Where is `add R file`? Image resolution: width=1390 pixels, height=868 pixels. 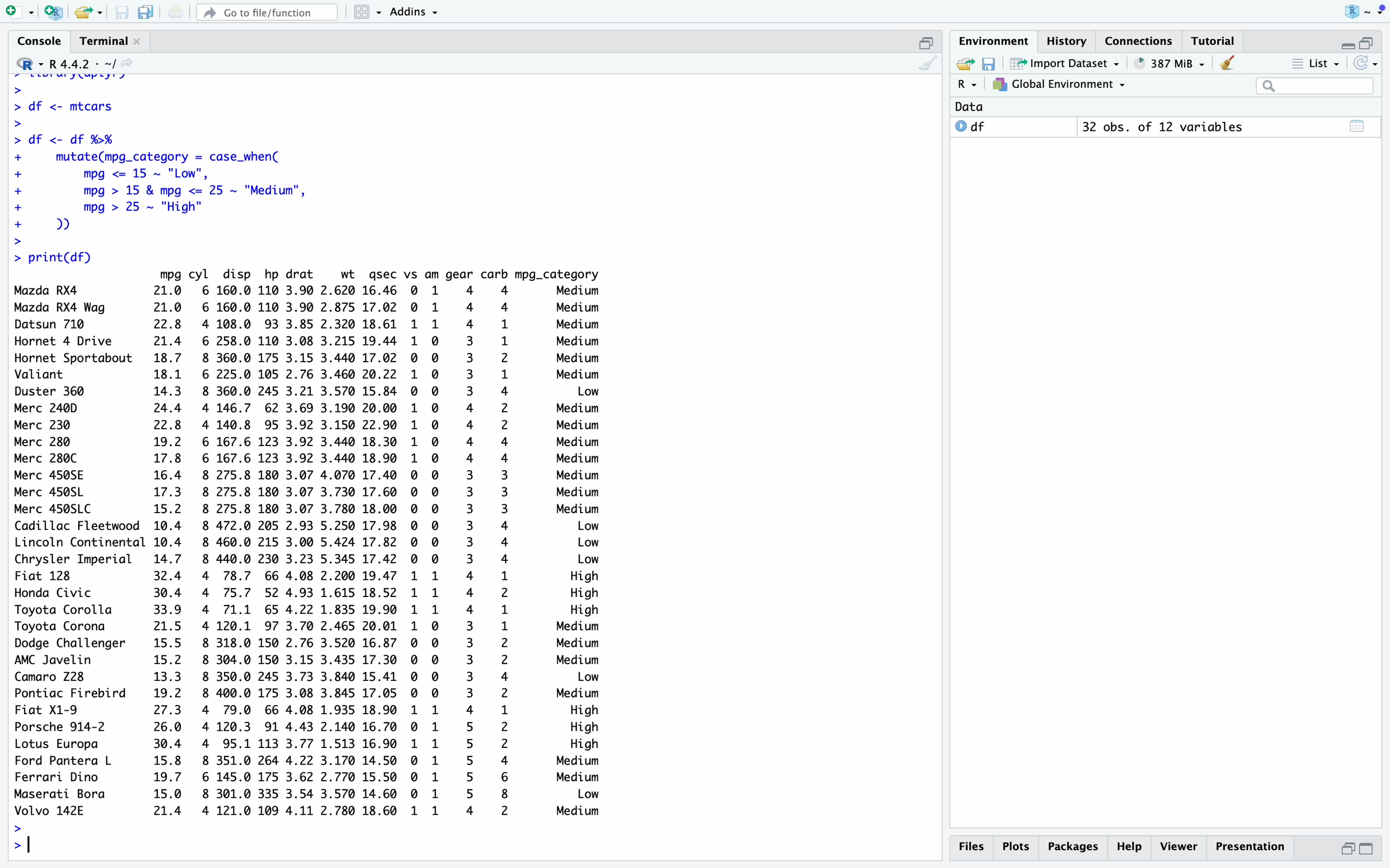 add R file is located at coordinates (54, 12).